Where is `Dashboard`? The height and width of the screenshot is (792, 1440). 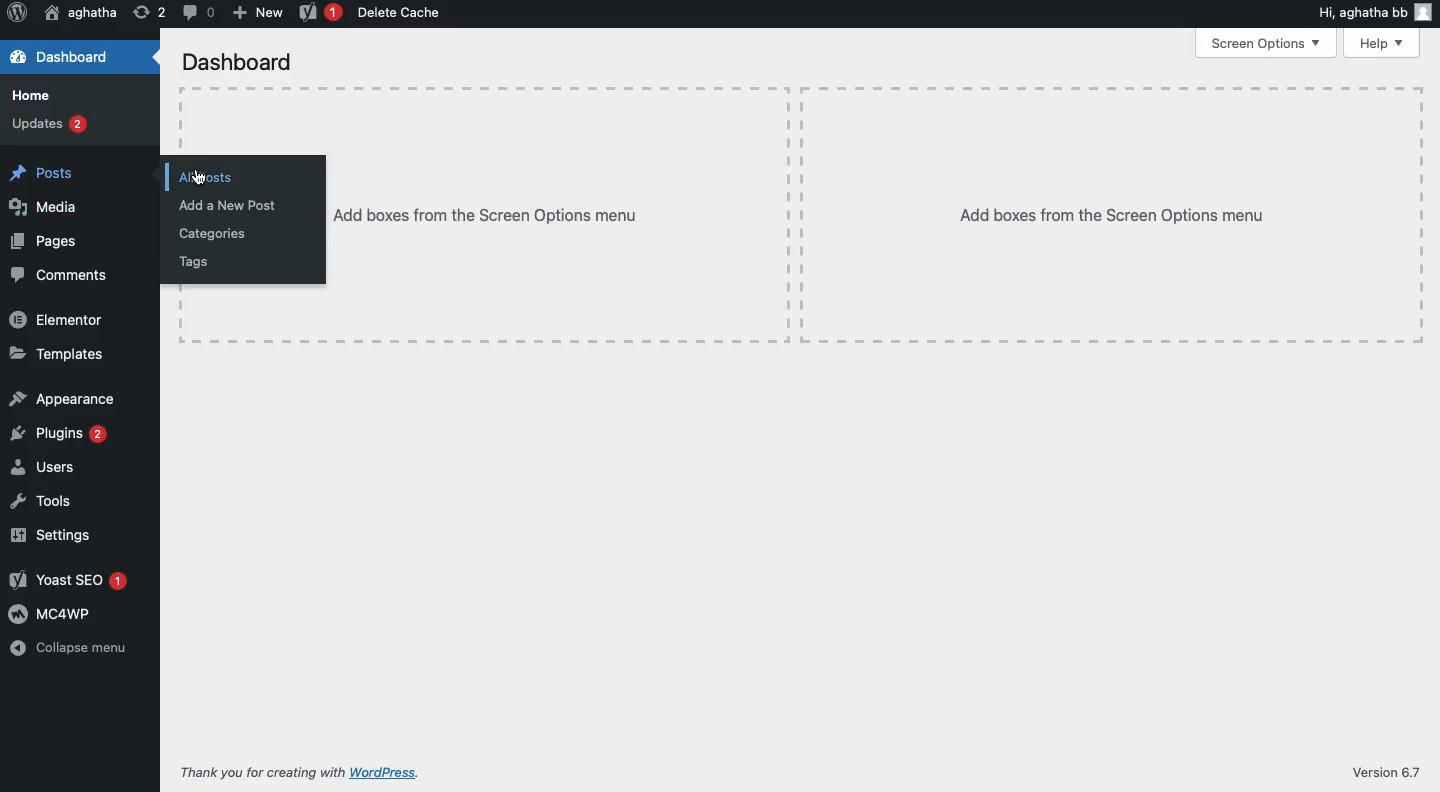
Dashboard is located at coordinates (237, 60).